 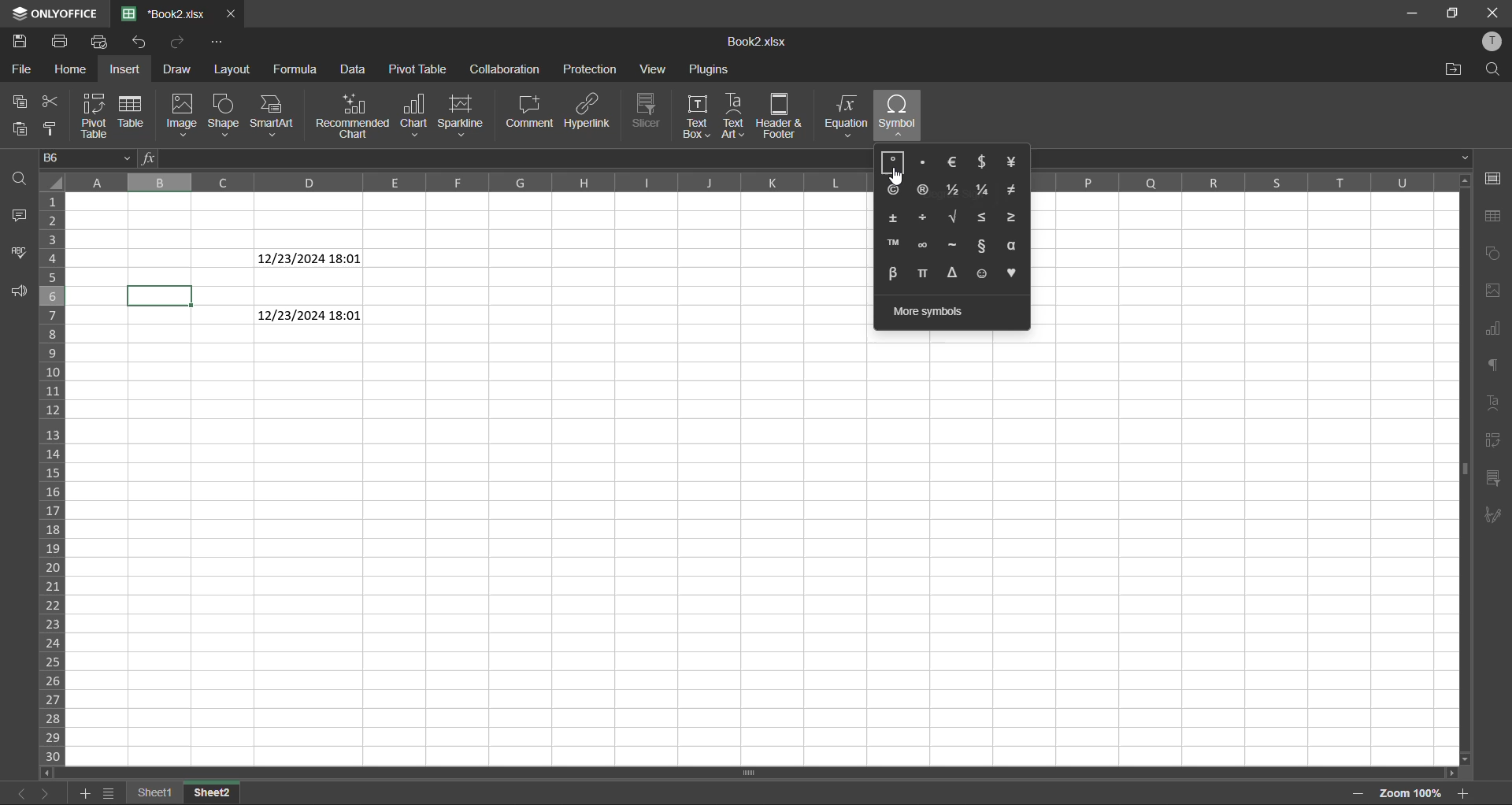 I want to click on quick print, so click(x=104, y=42).